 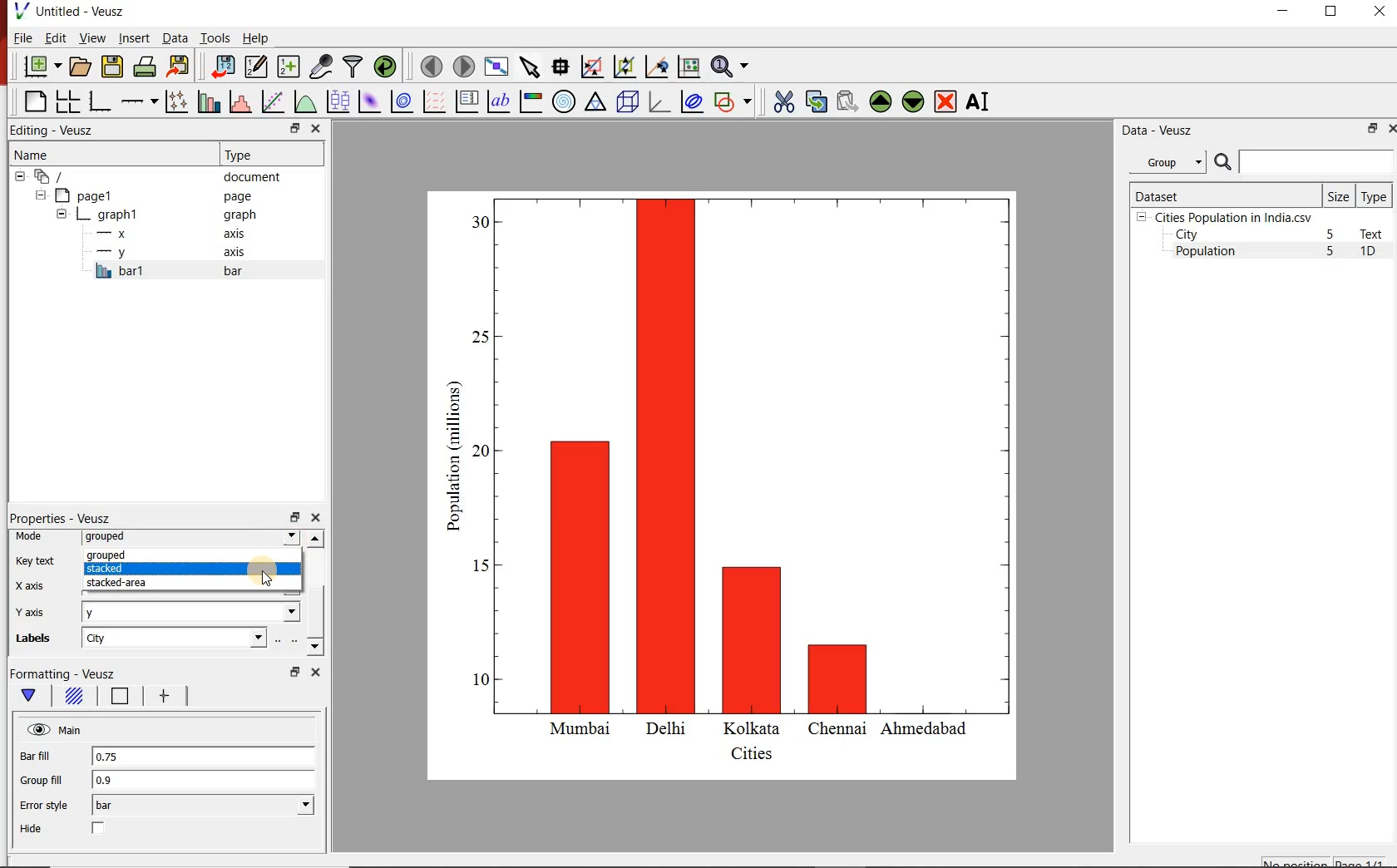 I want to click on city, so click(x=173, y=638).